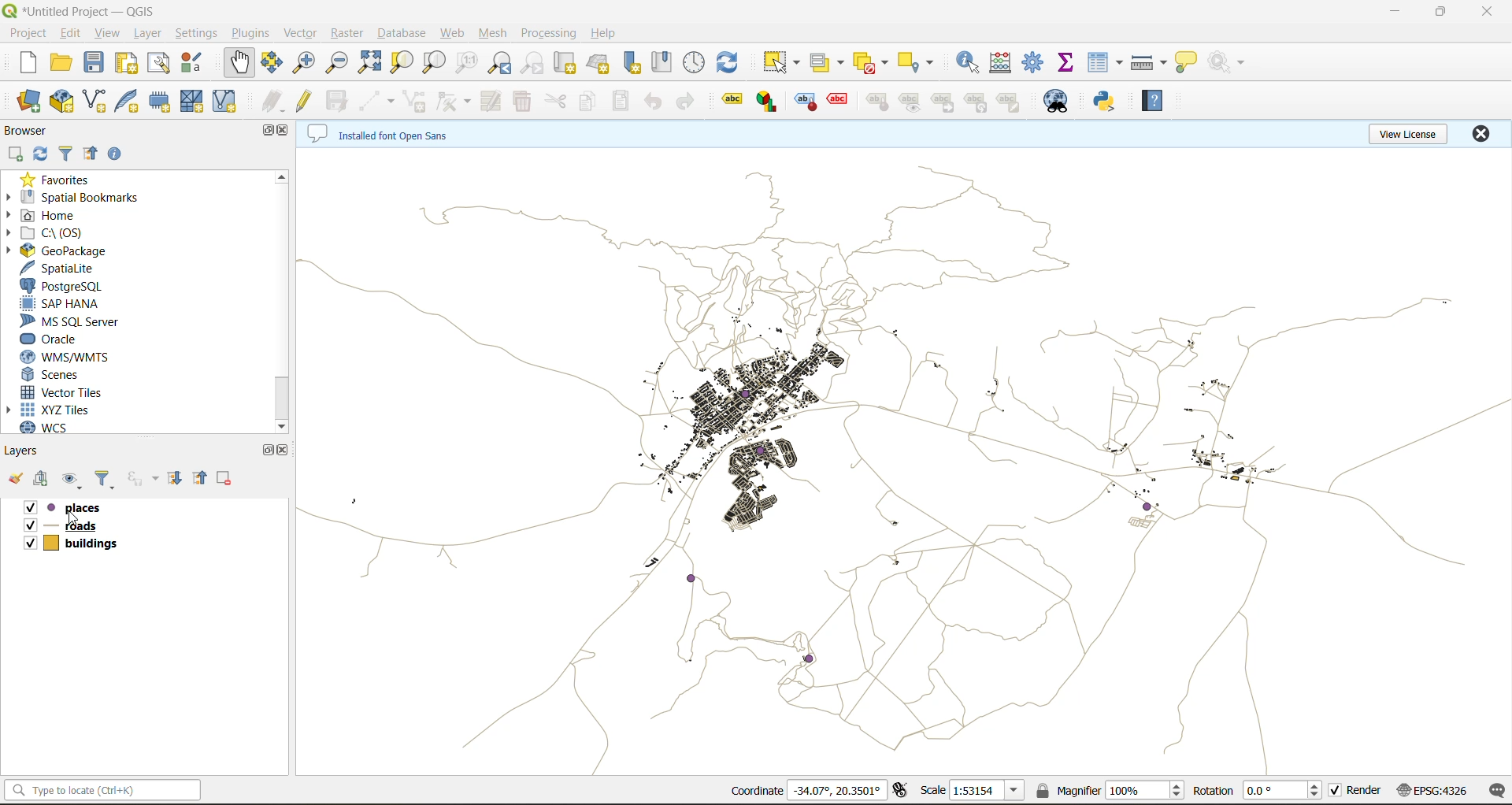  I want to click on pin/unpin labels and diagrams, so click(876, 102).